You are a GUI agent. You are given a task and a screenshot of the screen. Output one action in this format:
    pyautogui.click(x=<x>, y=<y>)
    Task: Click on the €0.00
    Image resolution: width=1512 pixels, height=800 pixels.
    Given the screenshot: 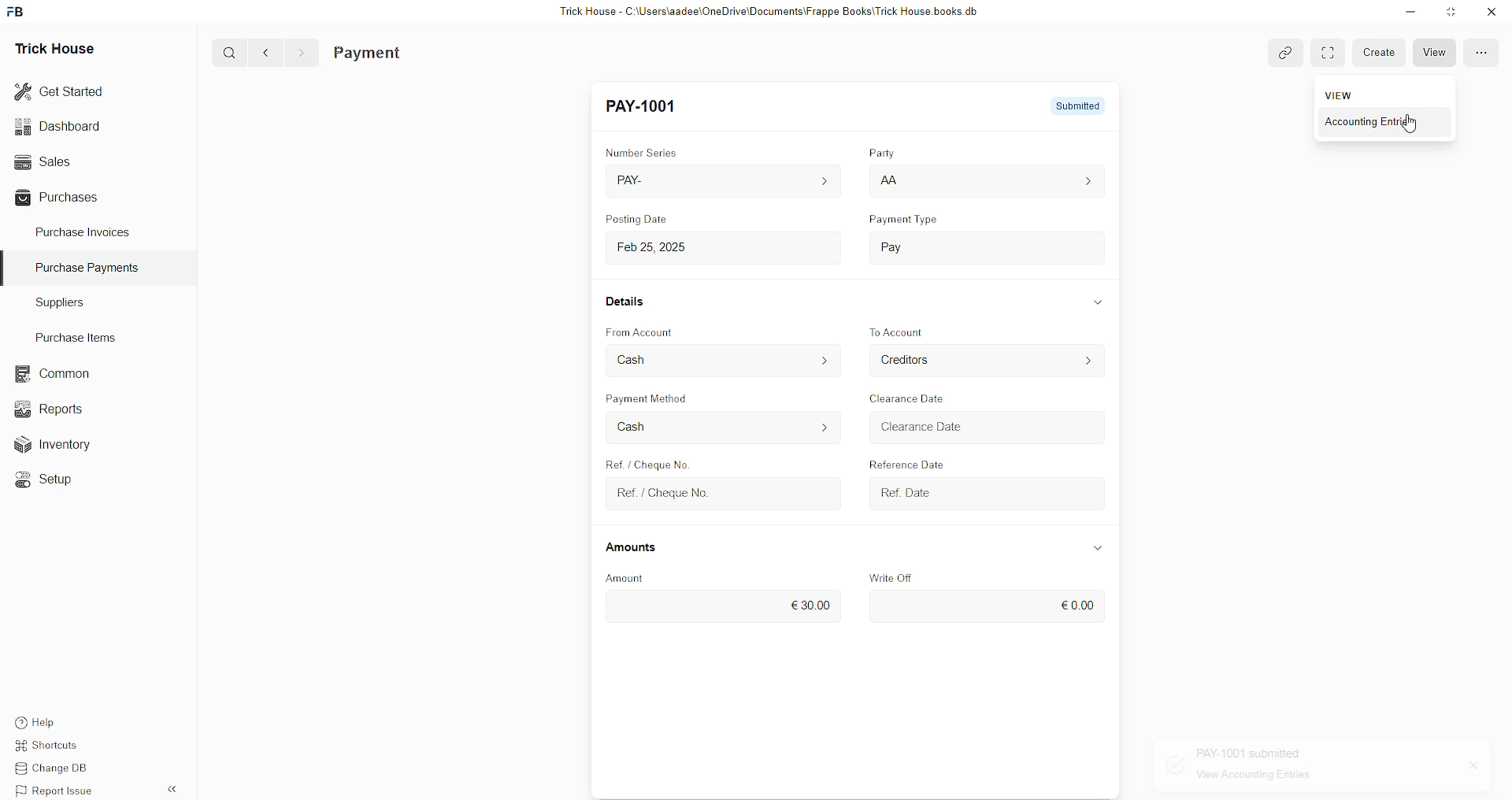 What is the action you would take?
    pyautogui.click(x=1073, y=606)
    